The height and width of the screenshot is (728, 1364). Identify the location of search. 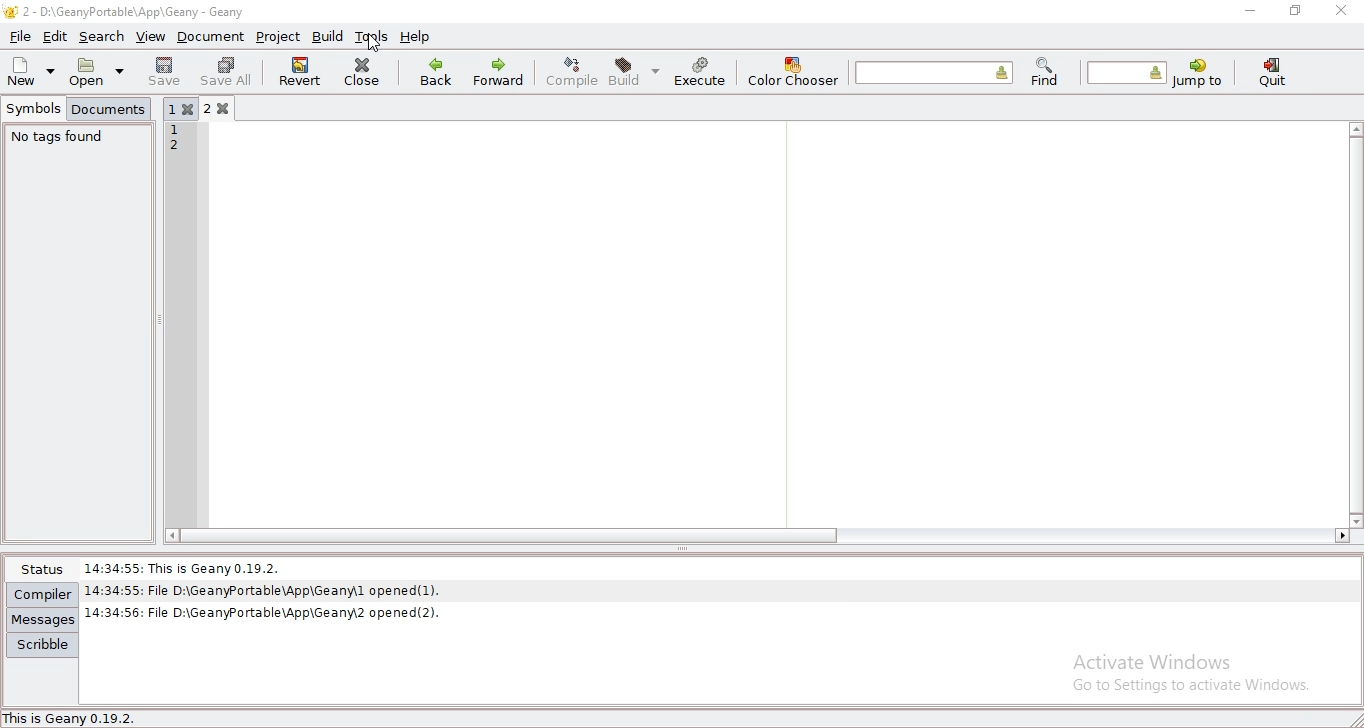
(103, 36).